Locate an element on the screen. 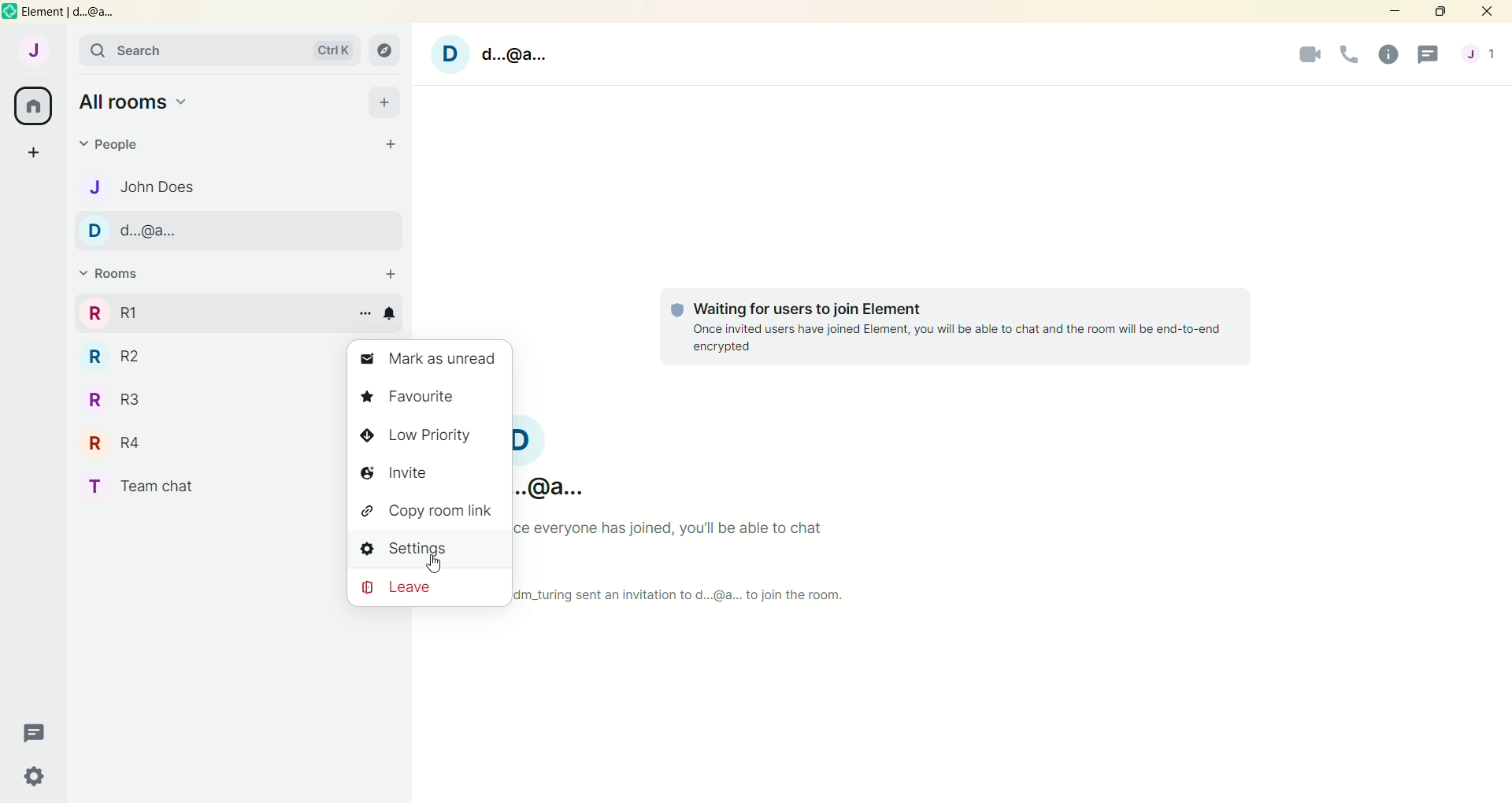 Image resolution: width=1512 pixels, height=803 pixels. favourite is located at coordinates (409, 399).